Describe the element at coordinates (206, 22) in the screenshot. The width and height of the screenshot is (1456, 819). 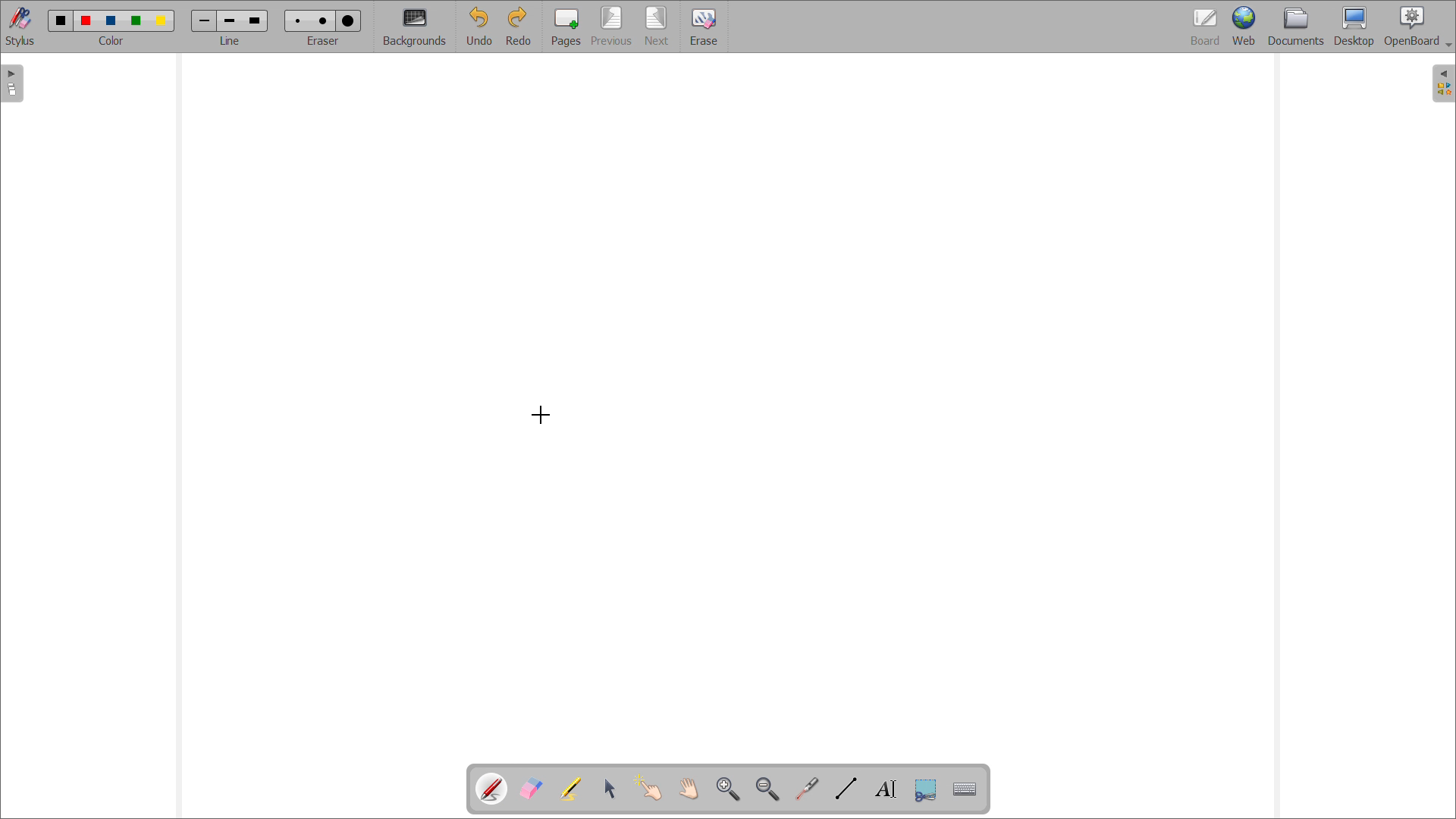
I see `line width size` at that location.